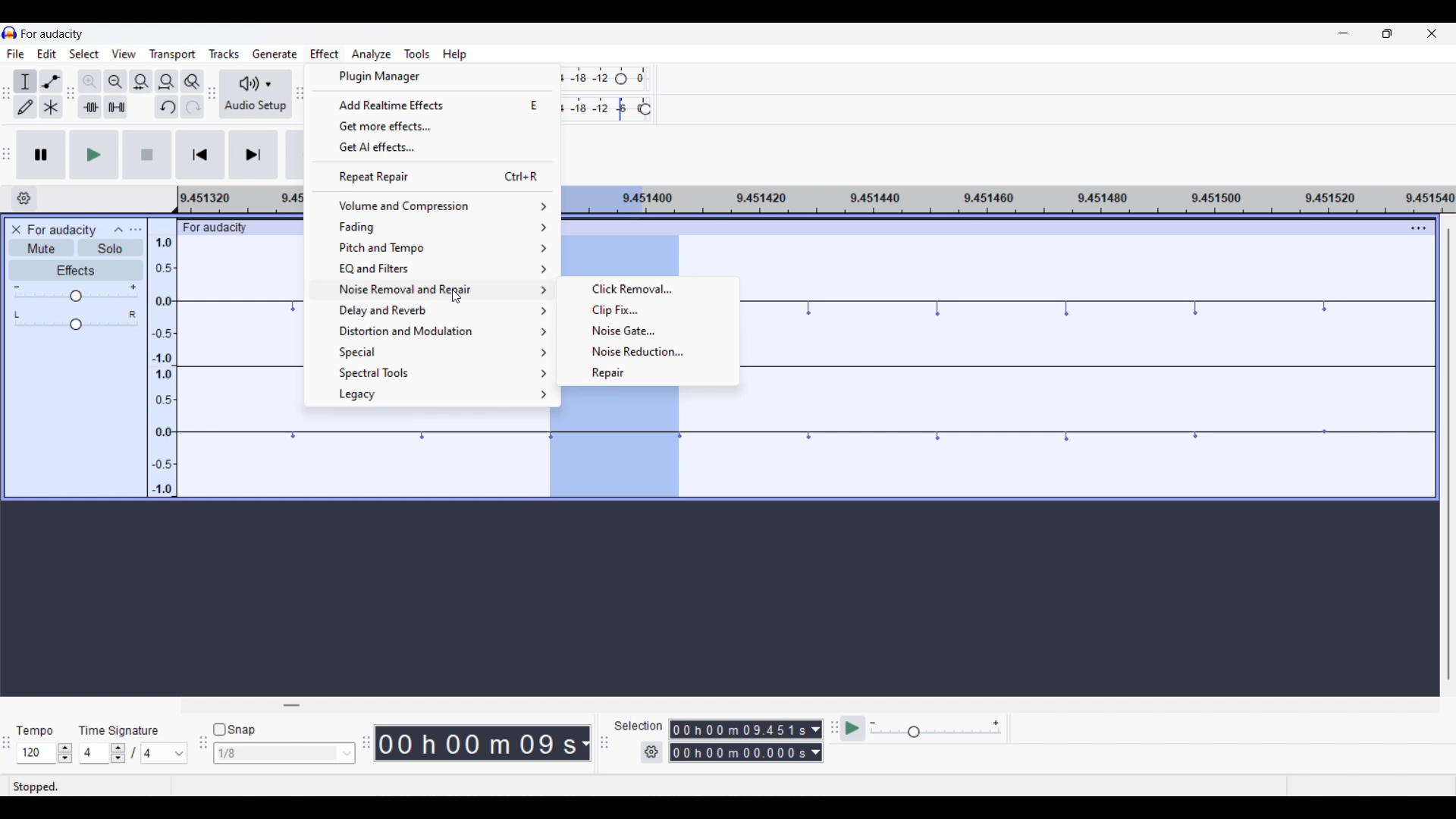 This screenshot has height=819, width=1456. I want to click on Current project, so click(62, 229).